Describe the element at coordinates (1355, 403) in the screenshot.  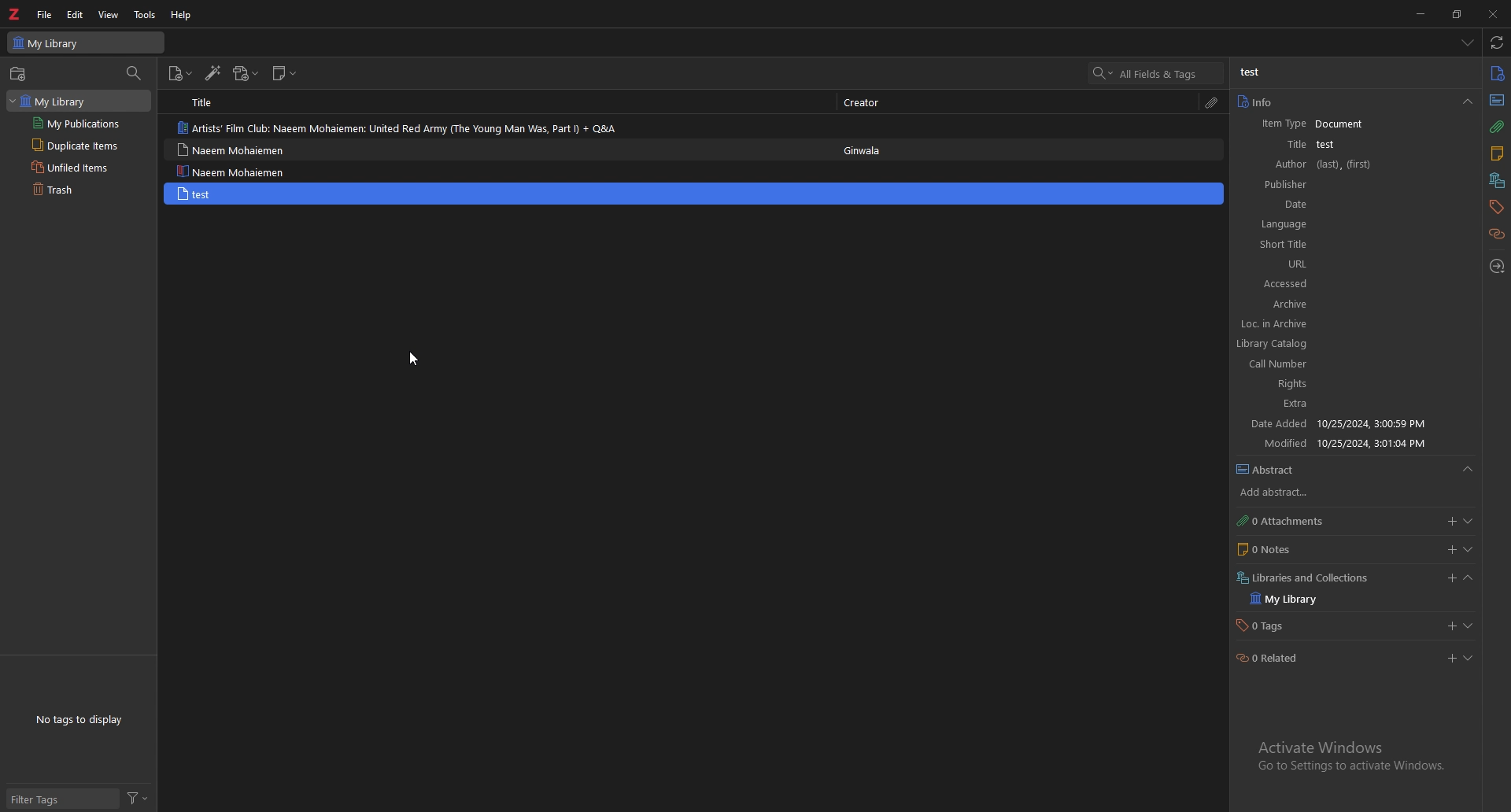
I see `extra input` at that location.